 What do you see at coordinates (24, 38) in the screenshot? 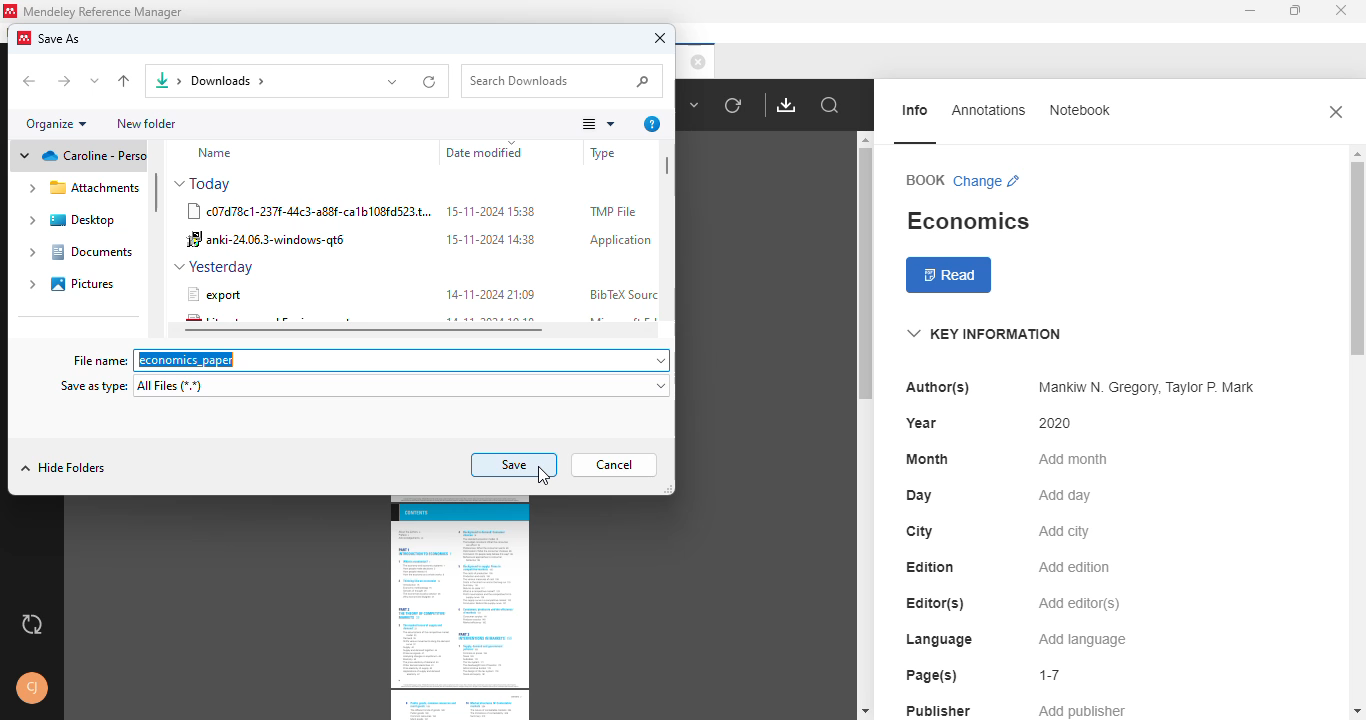
I see `logo` at bounding box center [24, 38].